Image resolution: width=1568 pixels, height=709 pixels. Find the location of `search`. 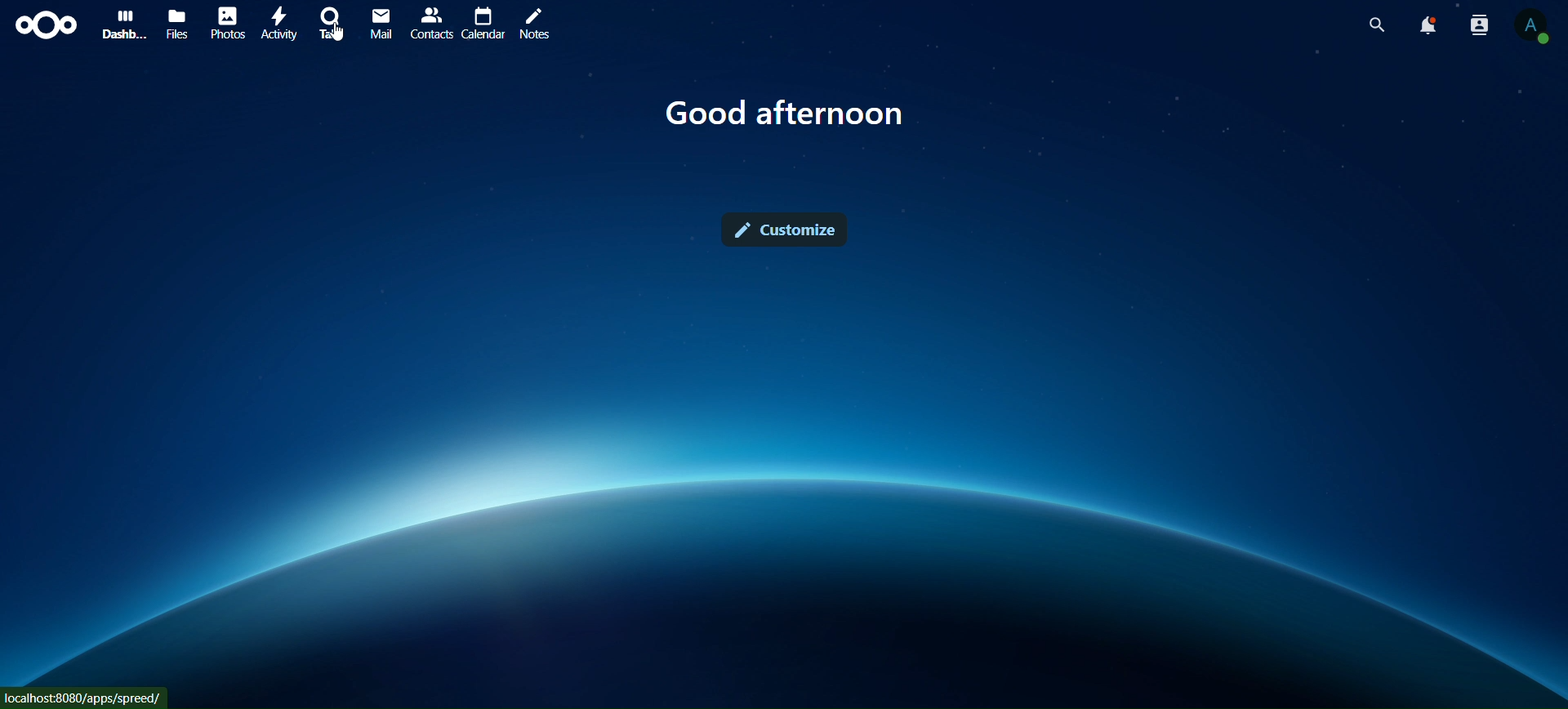

search is located at coordinates (1378, 25).